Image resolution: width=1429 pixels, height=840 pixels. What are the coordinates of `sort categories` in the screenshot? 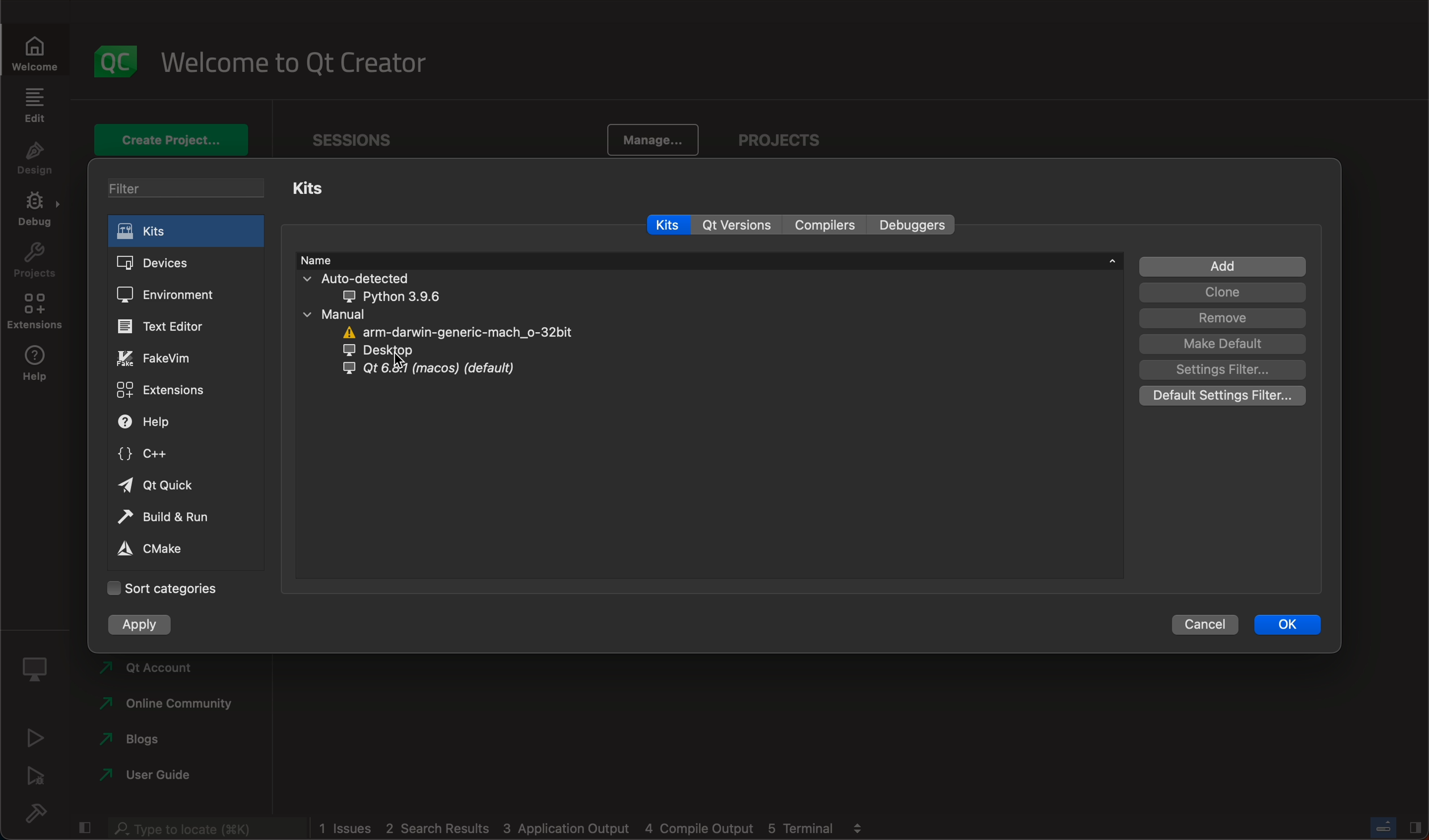 It's located at (162, 587).